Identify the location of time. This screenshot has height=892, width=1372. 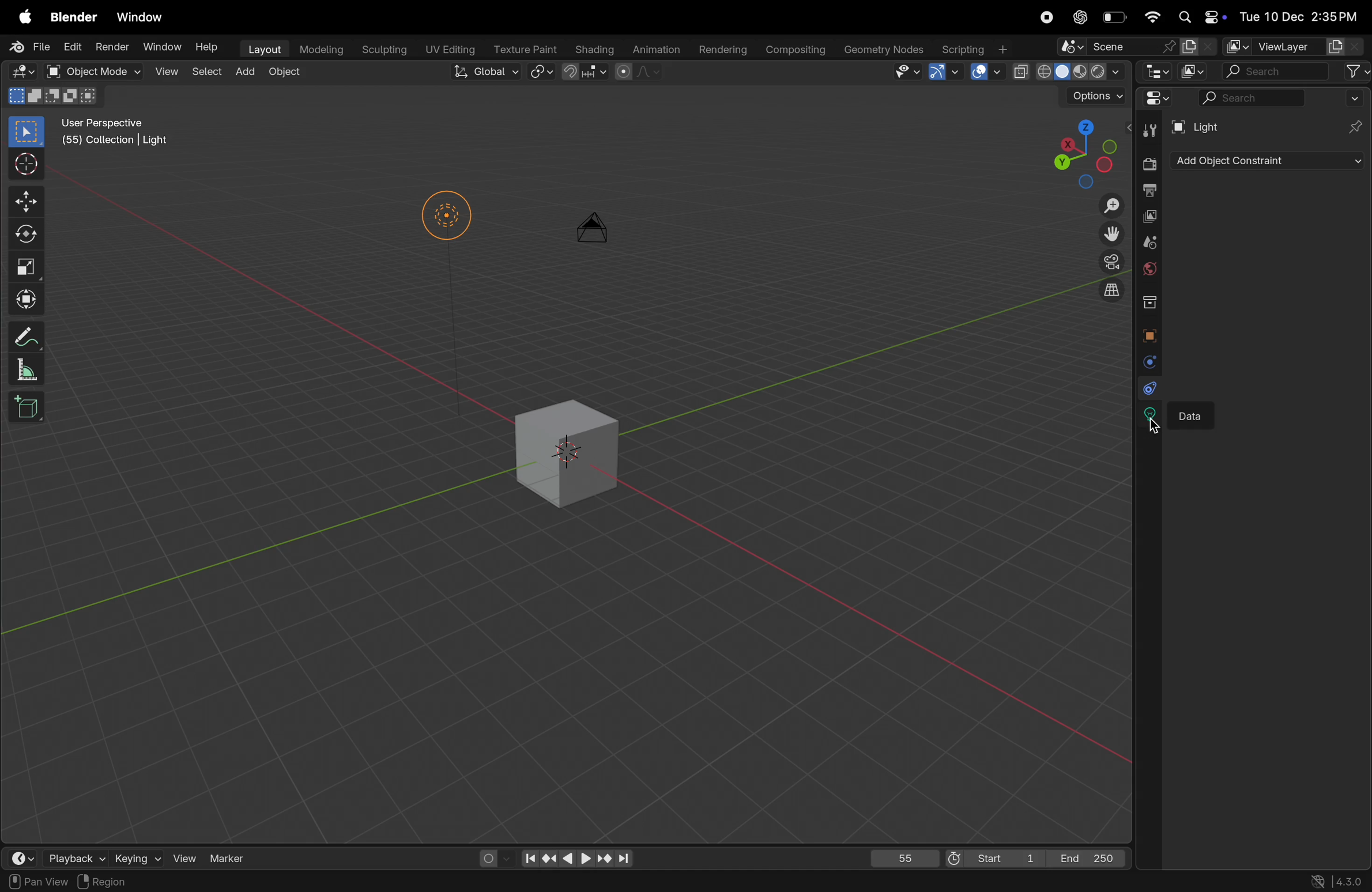
(28, 857).